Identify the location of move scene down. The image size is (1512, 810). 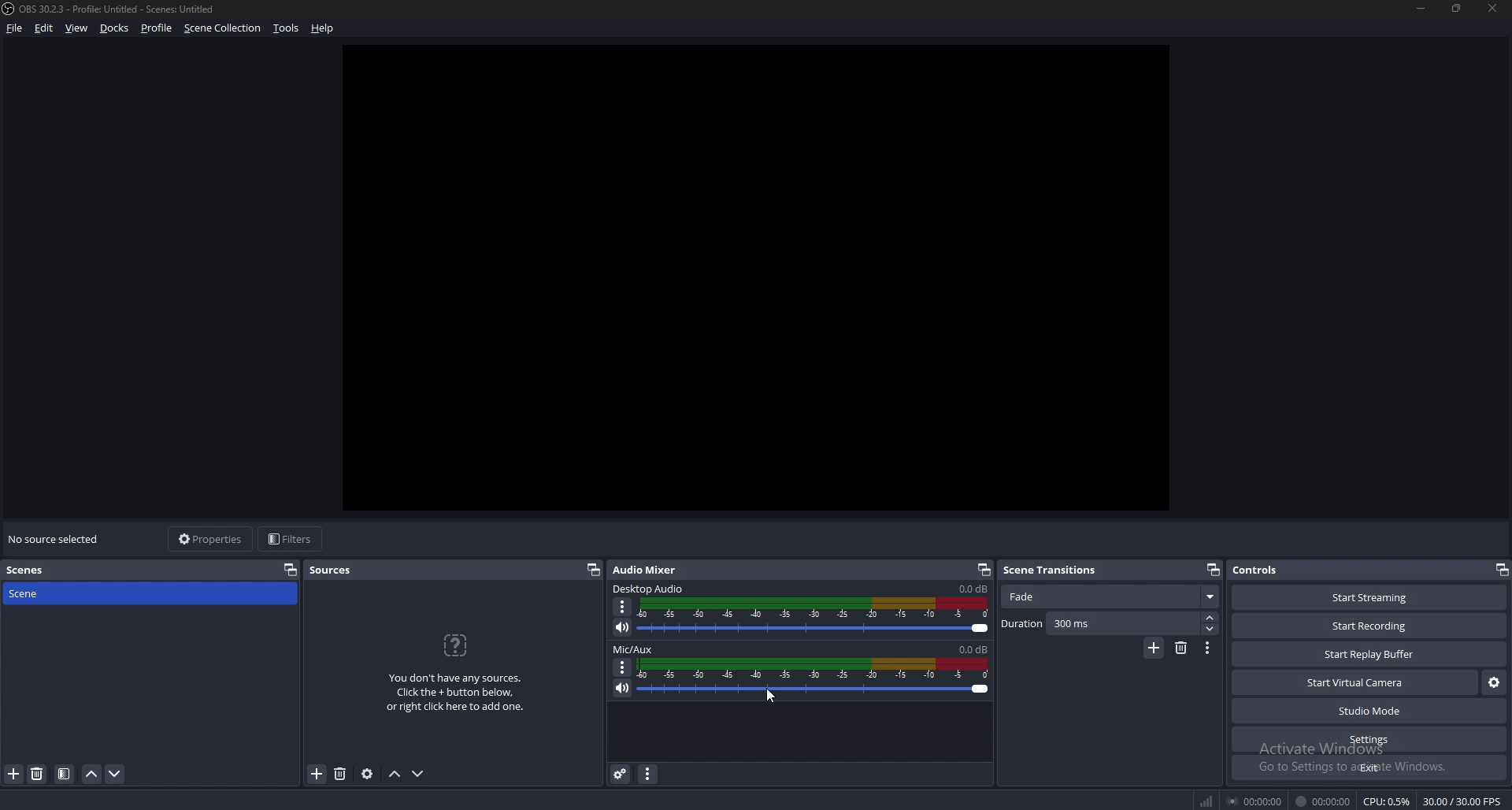
(117, 775).